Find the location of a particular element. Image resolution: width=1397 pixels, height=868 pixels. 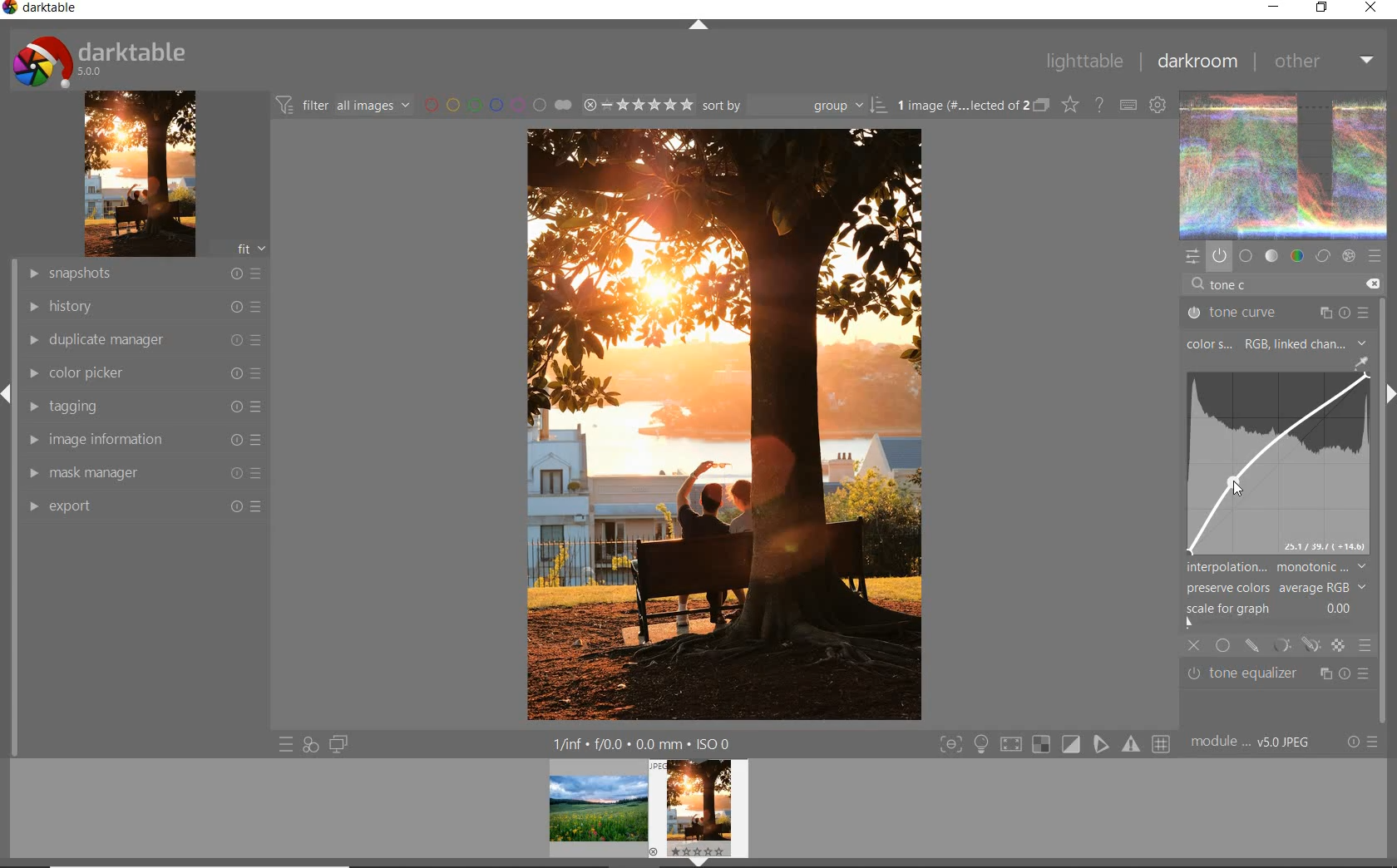

tagging is located at coordinates (141, 405).